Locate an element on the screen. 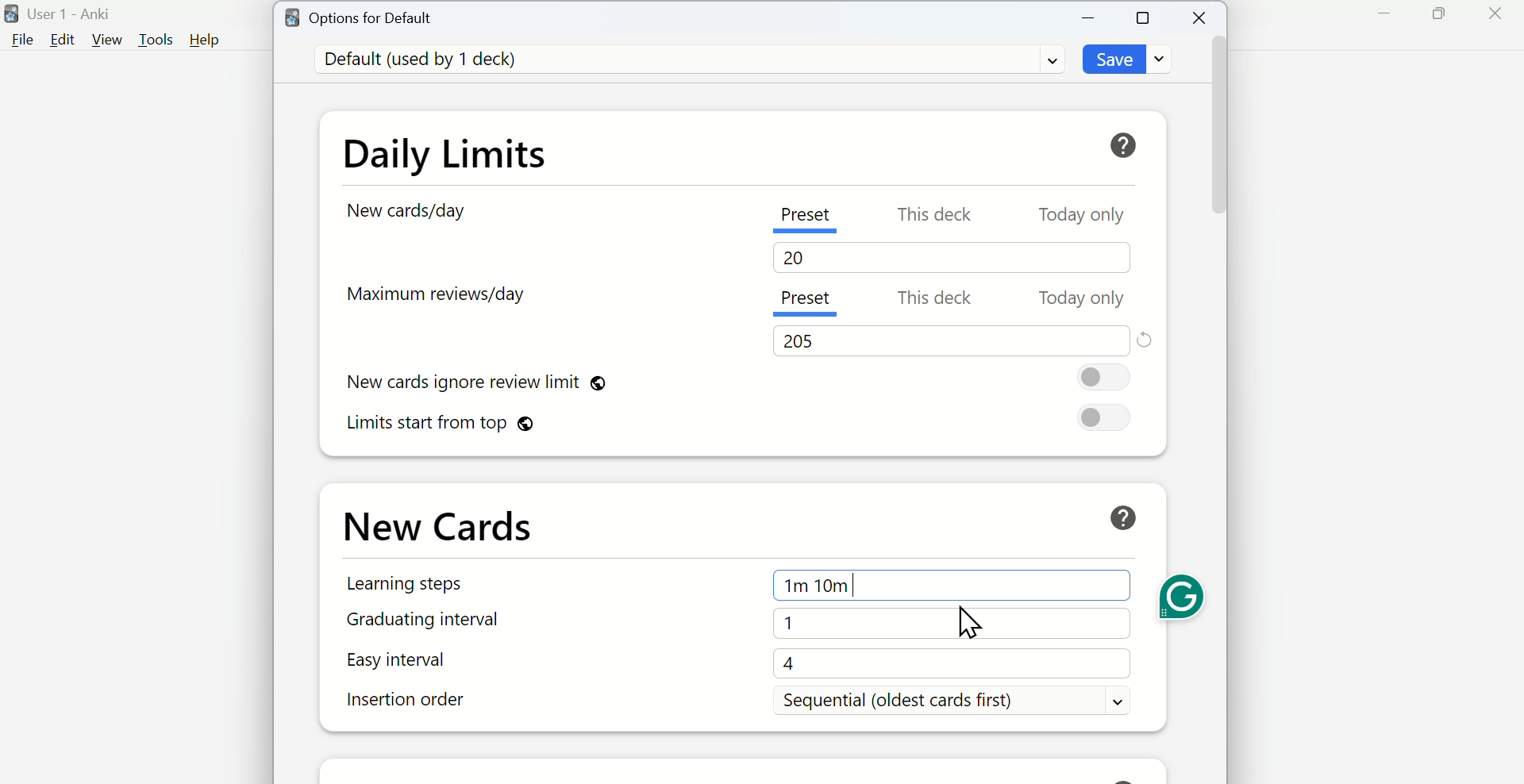 This screenshot has width=1524, height=784. File is located at coordinates (22, 43).